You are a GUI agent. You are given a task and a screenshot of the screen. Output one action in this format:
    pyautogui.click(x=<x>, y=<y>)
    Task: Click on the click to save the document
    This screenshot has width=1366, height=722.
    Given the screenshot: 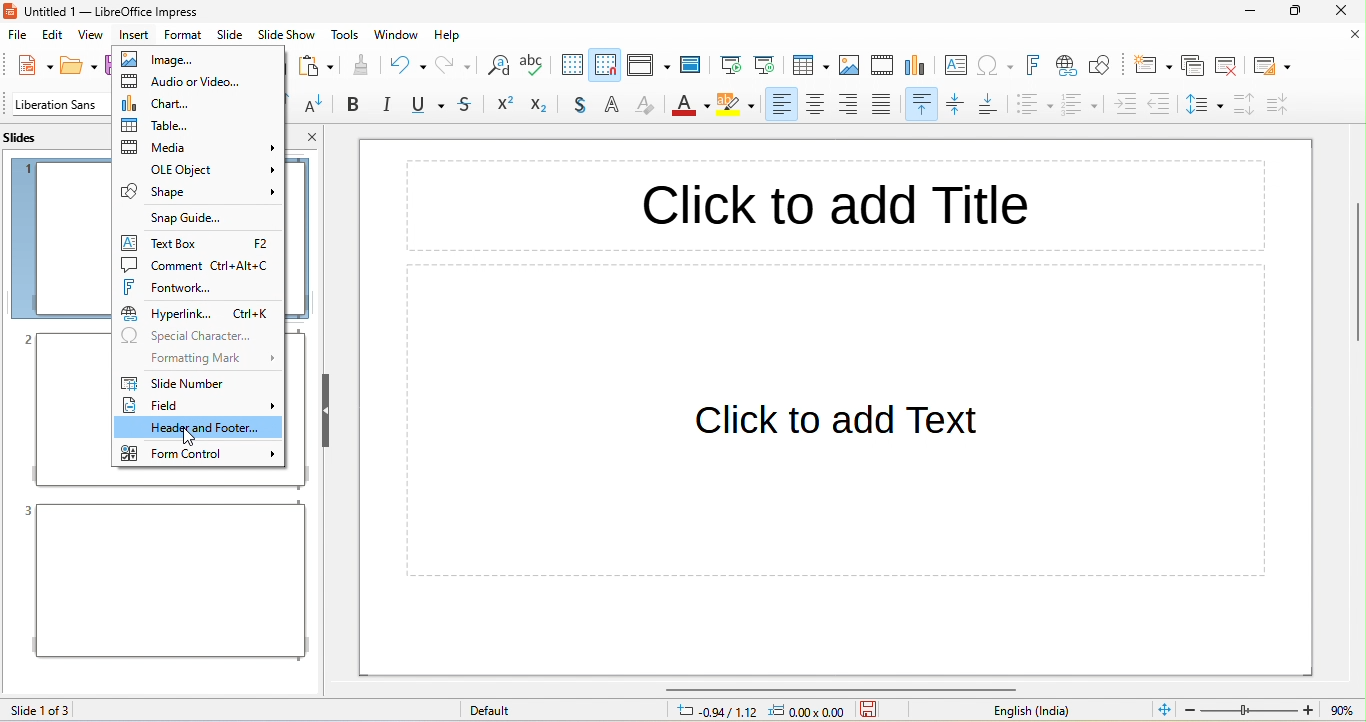 What is the action you would take?
    pyautogui.click(x=870, y=712)
    